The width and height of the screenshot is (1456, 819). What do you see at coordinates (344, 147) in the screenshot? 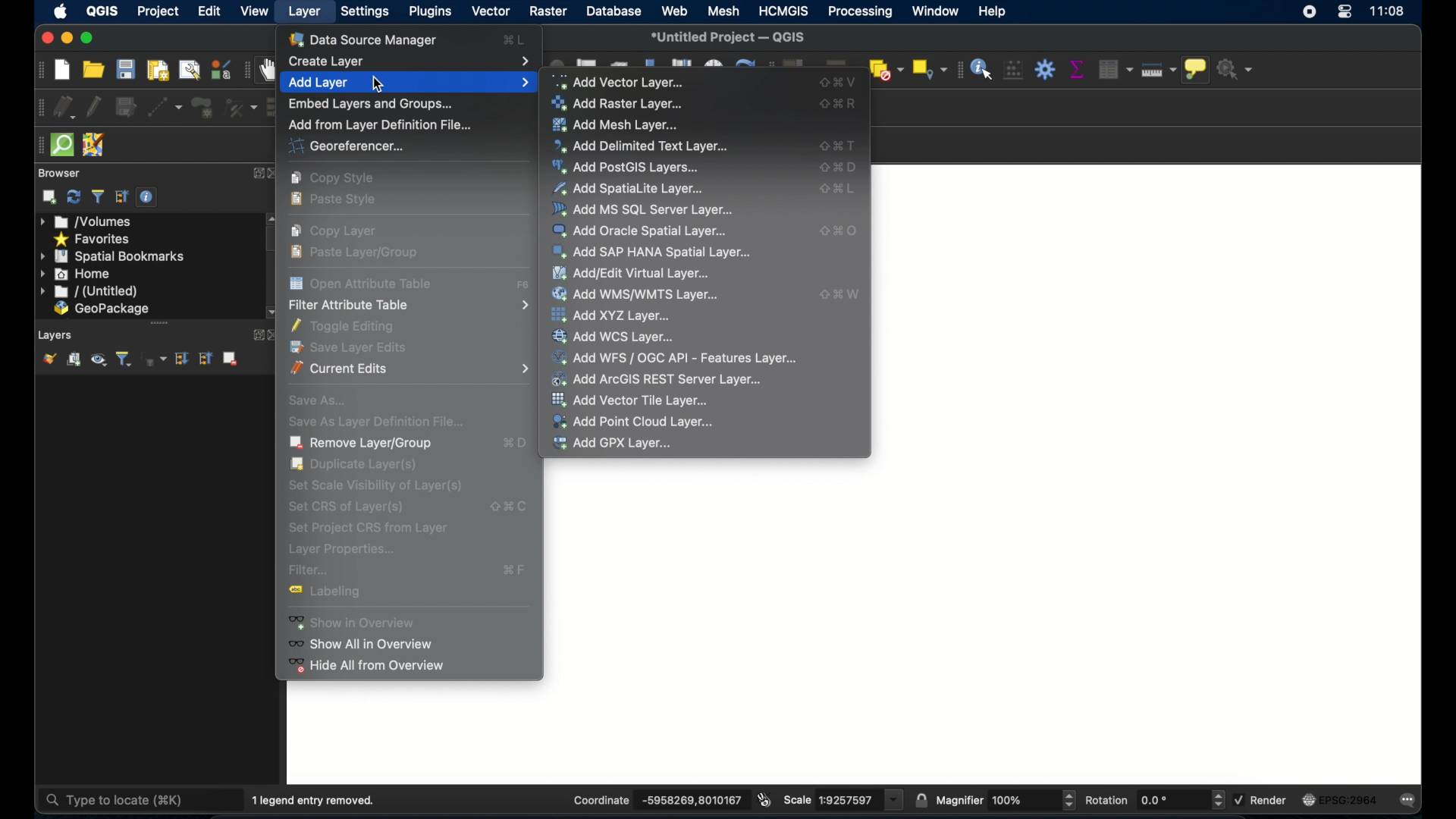
I see `georeferencer` at bounding box center [344, 147].